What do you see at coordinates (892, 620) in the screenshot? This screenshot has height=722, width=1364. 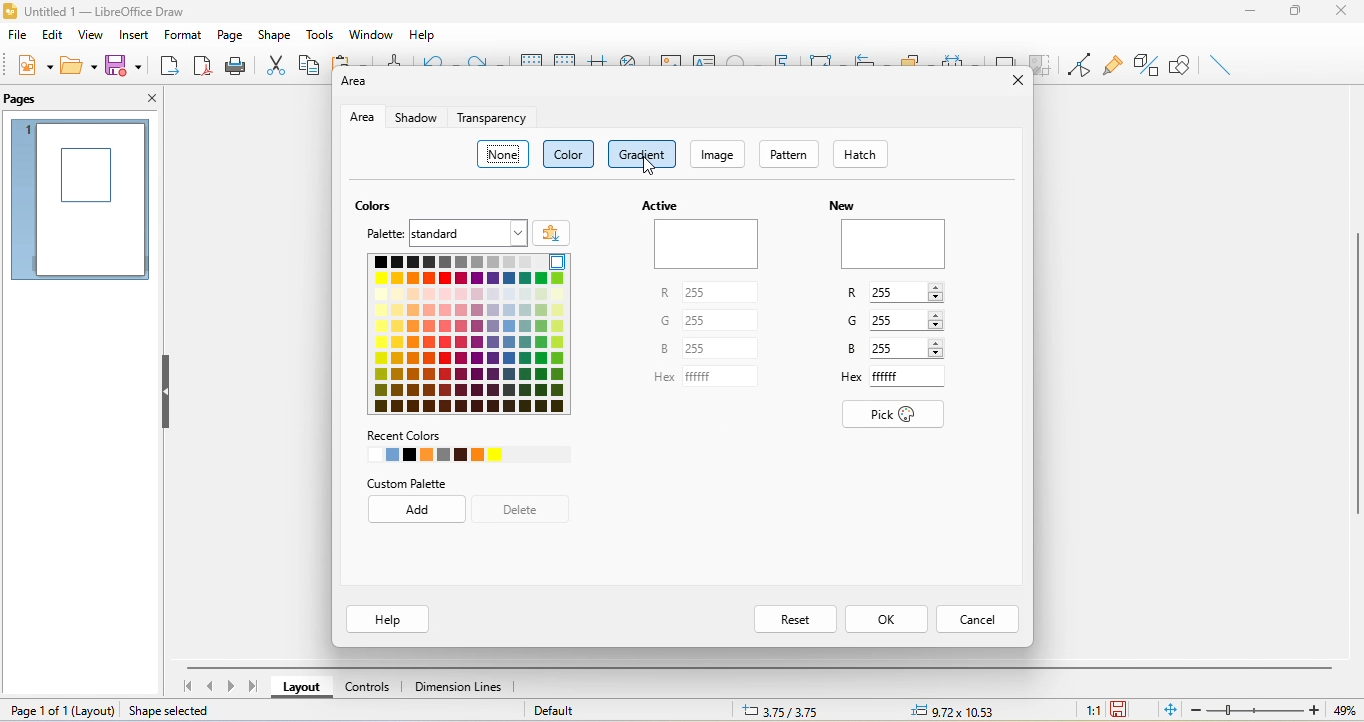 I see `ok` at bounding box center [892, 620].